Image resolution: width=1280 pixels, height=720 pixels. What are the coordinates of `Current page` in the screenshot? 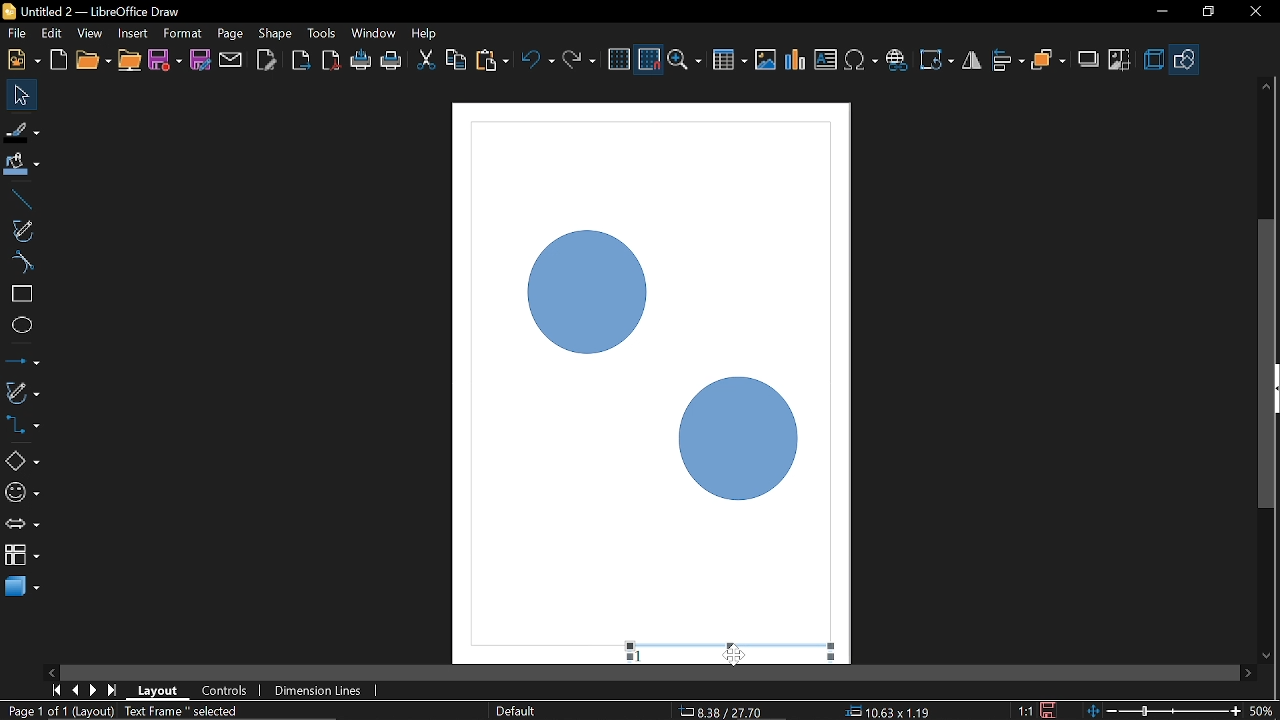 It's located at (127, 712).